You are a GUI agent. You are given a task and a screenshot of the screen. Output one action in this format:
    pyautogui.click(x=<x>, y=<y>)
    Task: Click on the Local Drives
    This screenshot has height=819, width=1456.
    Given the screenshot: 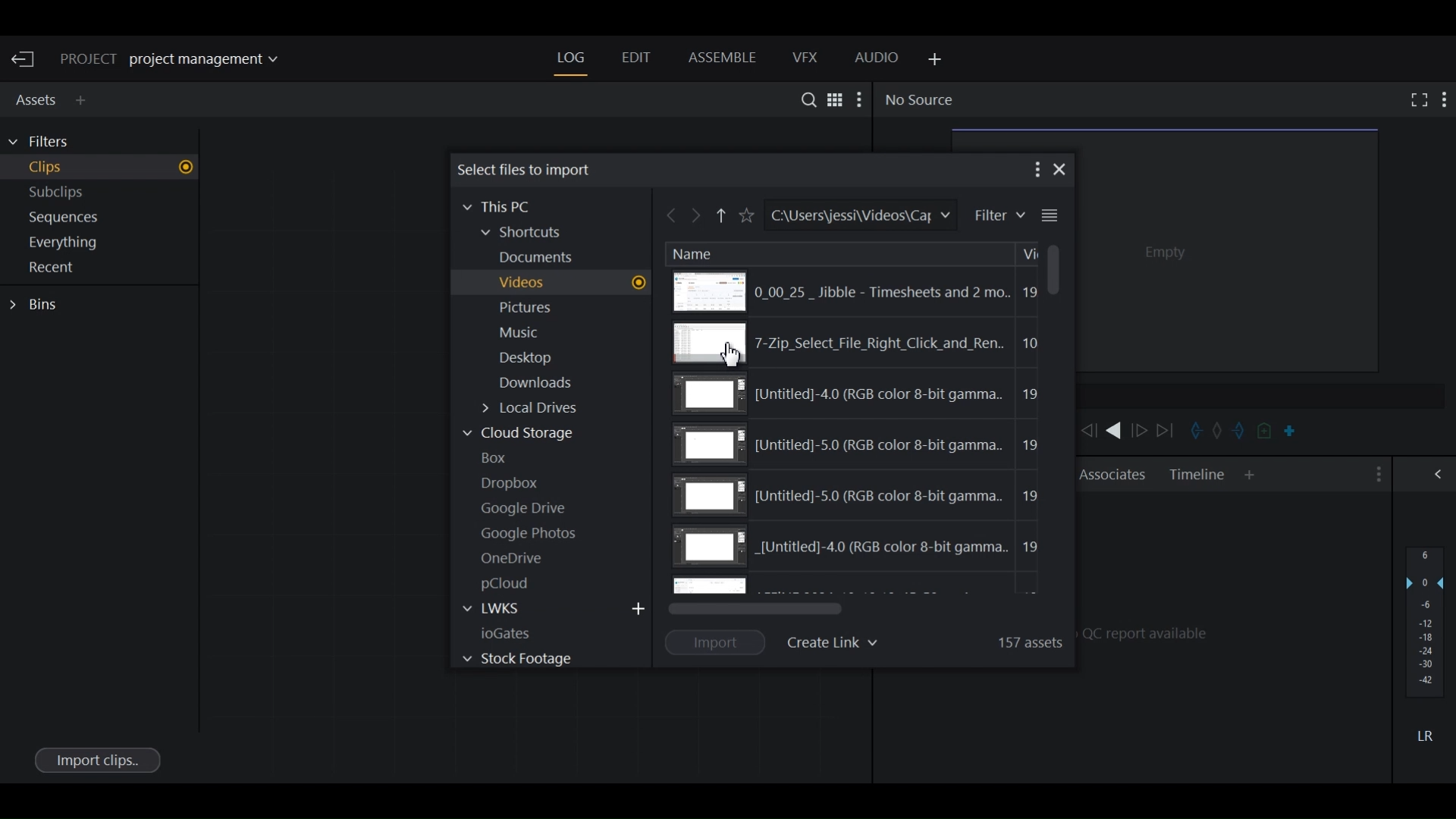 What is the action you would take?
    pyautogui.click(x=543, y=410)
    